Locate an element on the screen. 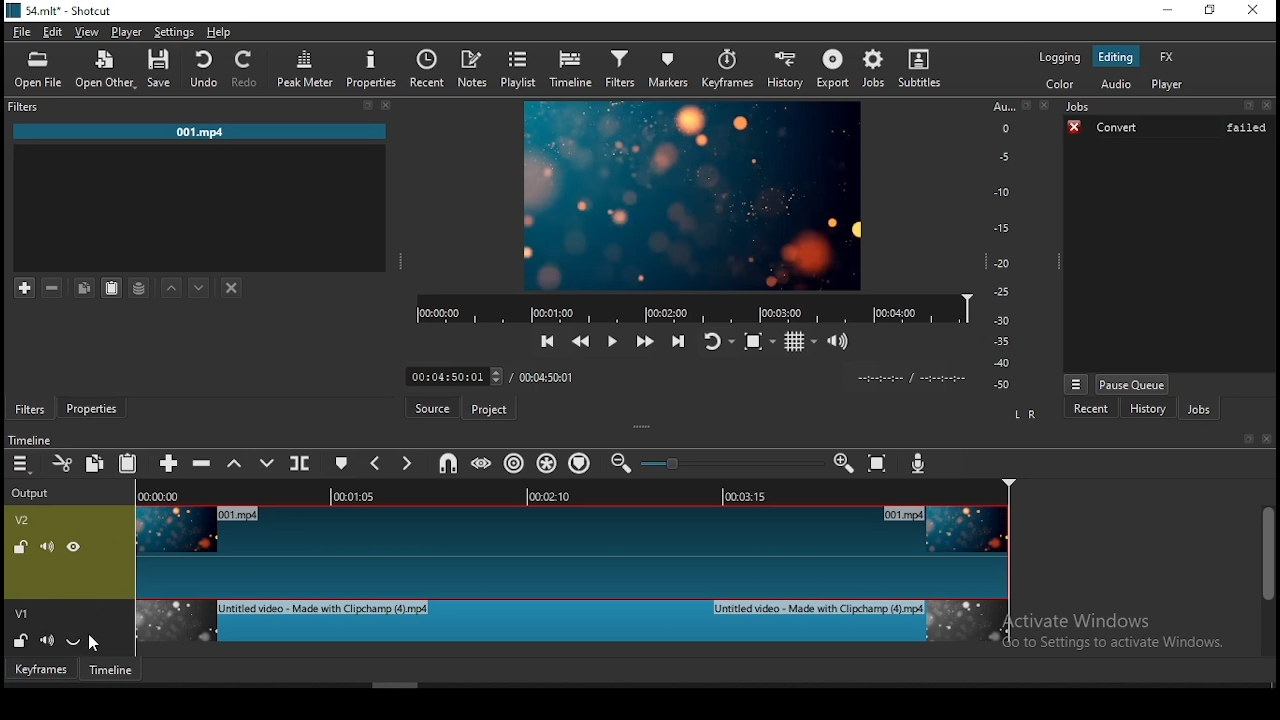  ripple delete is located at coordinates (203, 464).